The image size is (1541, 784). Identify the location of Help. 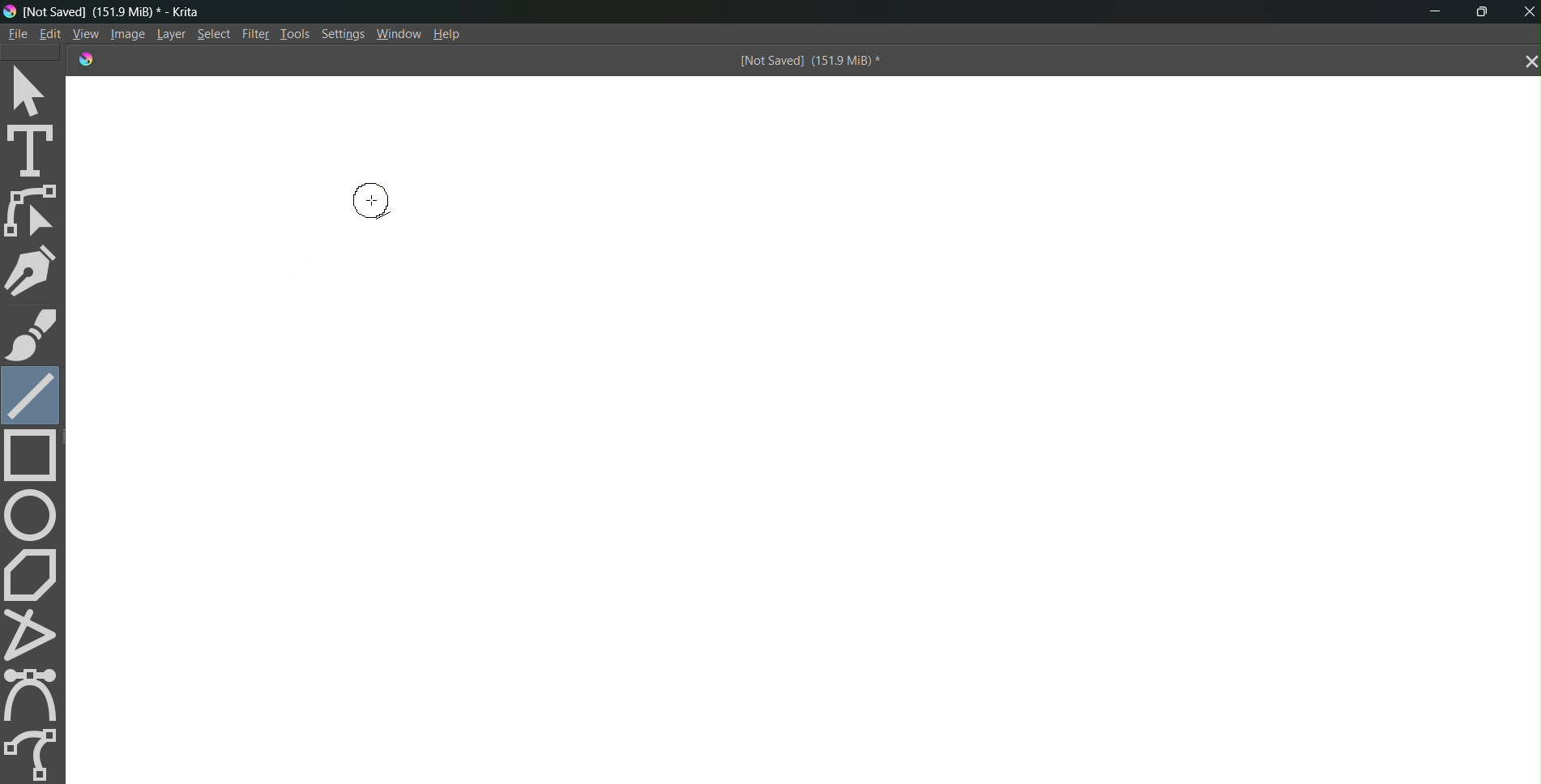
(454, 34).